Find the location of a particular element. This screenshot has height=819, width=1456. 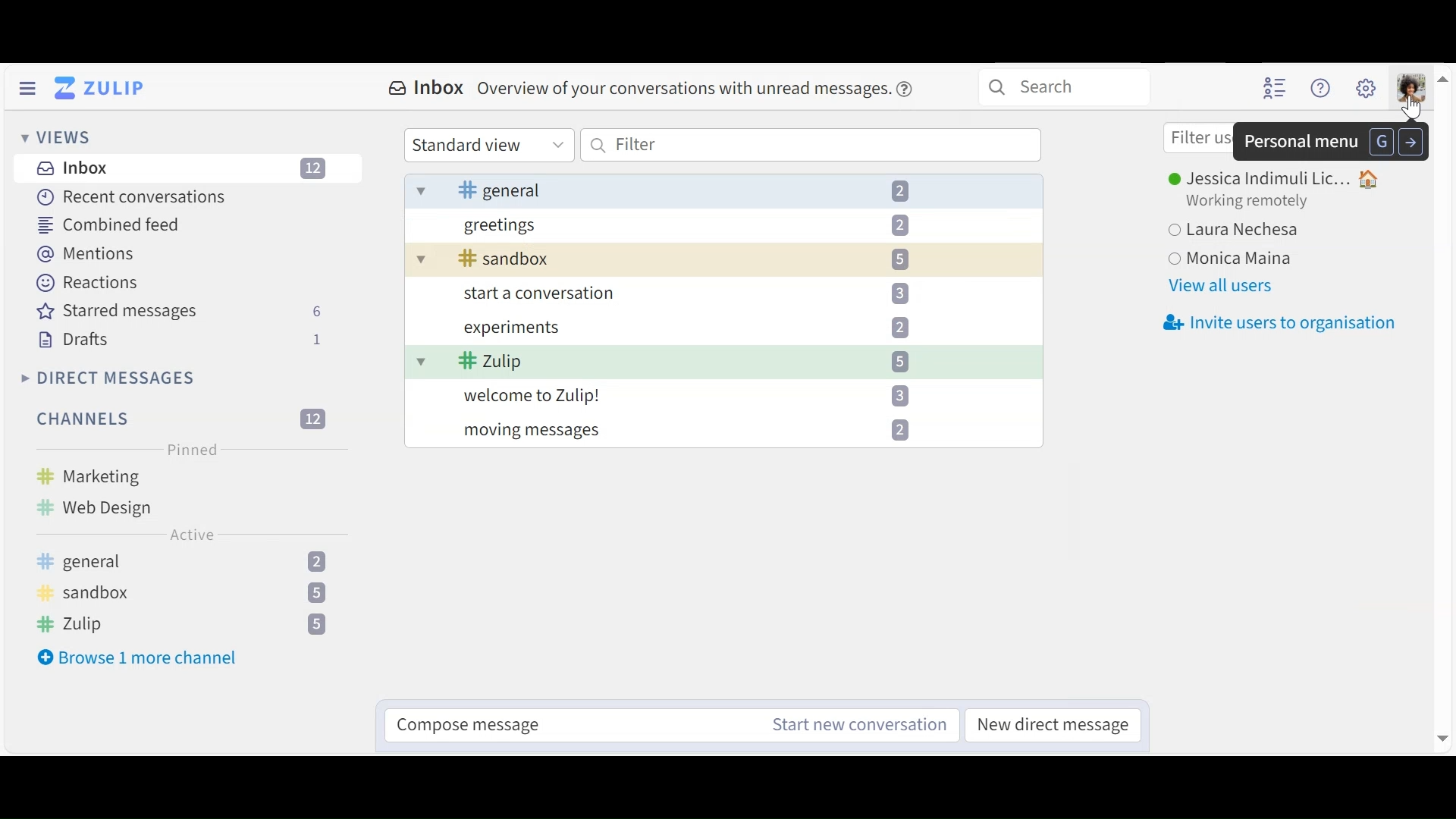

Mentions is located at coordinates (85, 253).